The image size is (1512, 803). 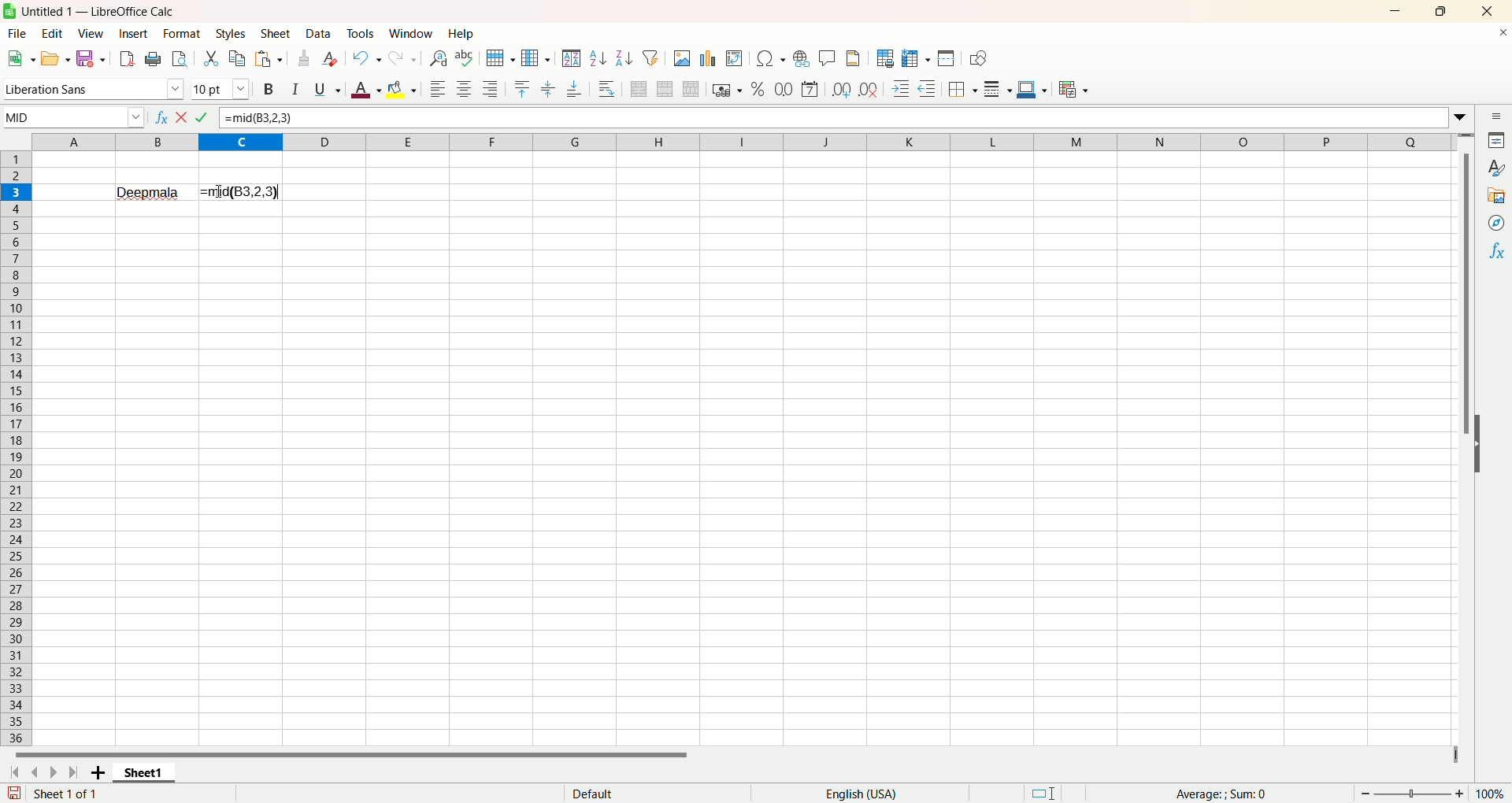 I want to click on Data, so click(x=321, y=33).